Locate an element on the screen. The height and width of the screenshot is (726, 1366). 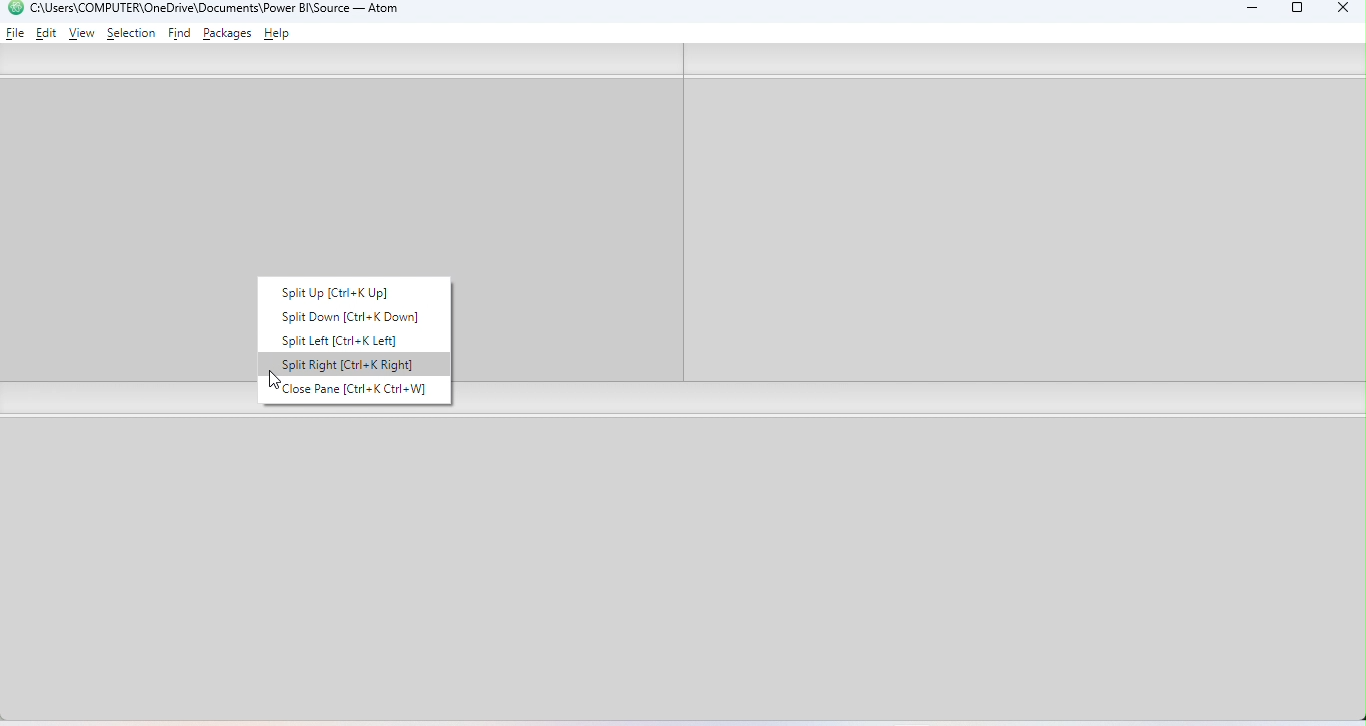
Close is located at coordinates (1338, 10).